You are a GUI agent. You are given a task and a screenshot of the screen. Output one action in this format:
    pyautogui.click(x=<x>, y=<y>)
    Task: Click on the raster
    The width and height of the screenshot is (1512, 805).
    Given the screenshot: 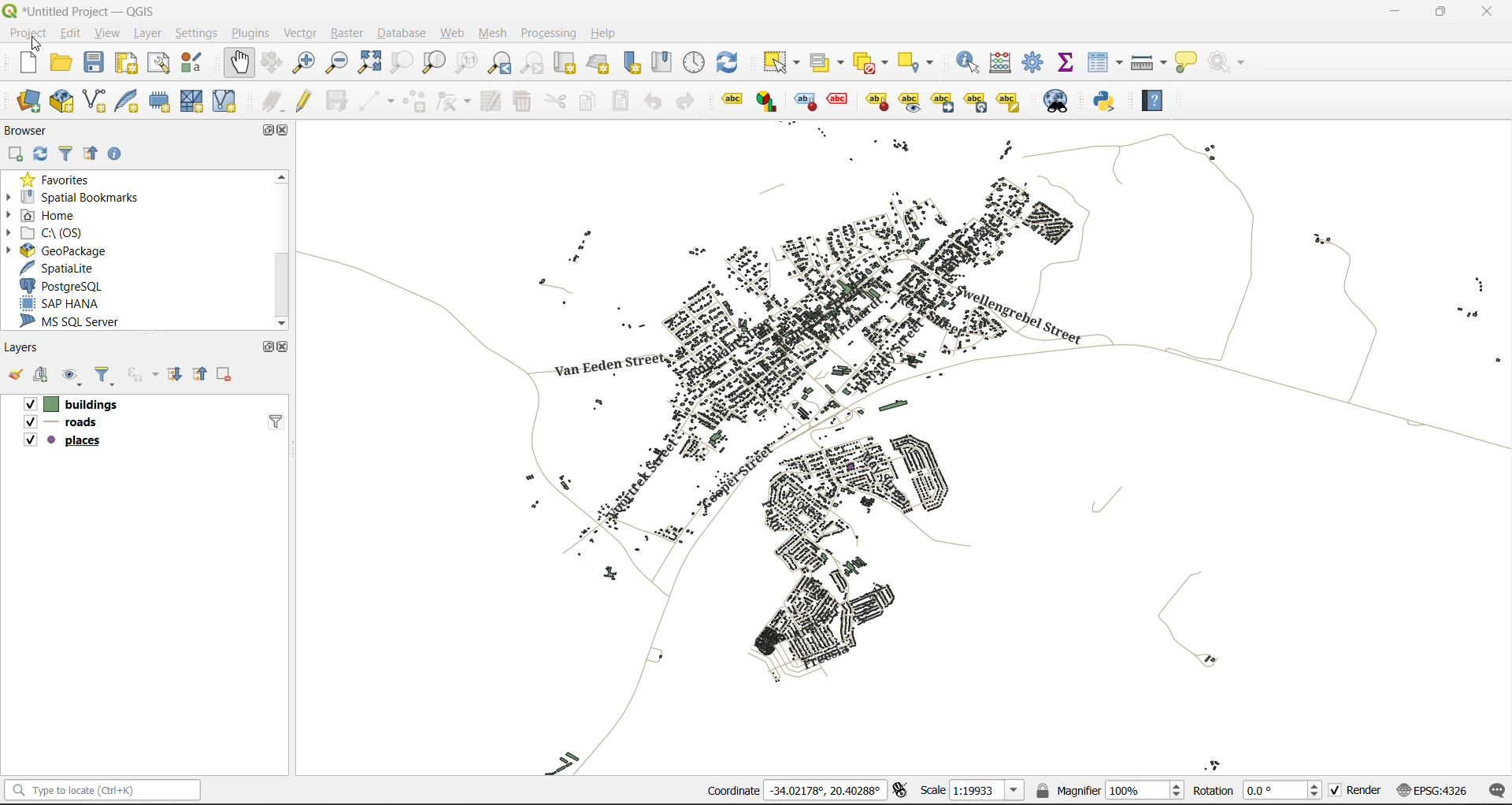 What is the action you would take?
    pyautogui.click(x=346, y=32)
    